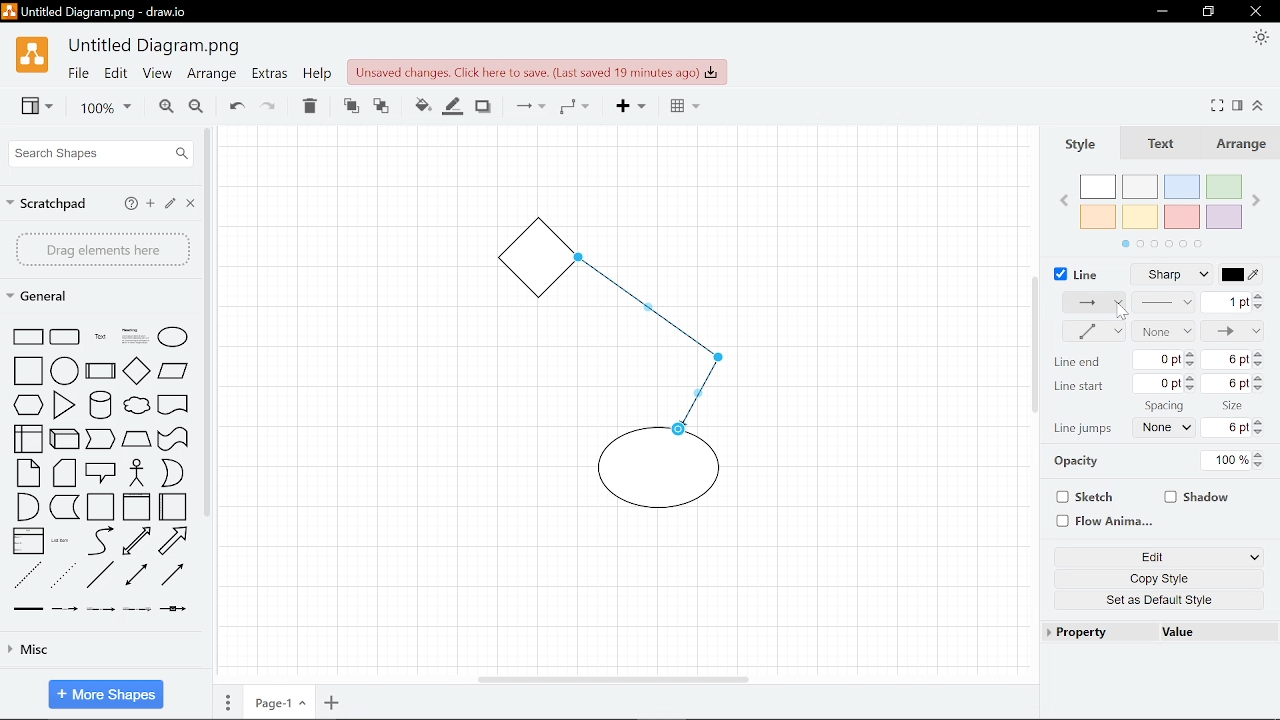 This screenshot has height=720, width=1280. I want to click on Colours, so click(1168, 209).